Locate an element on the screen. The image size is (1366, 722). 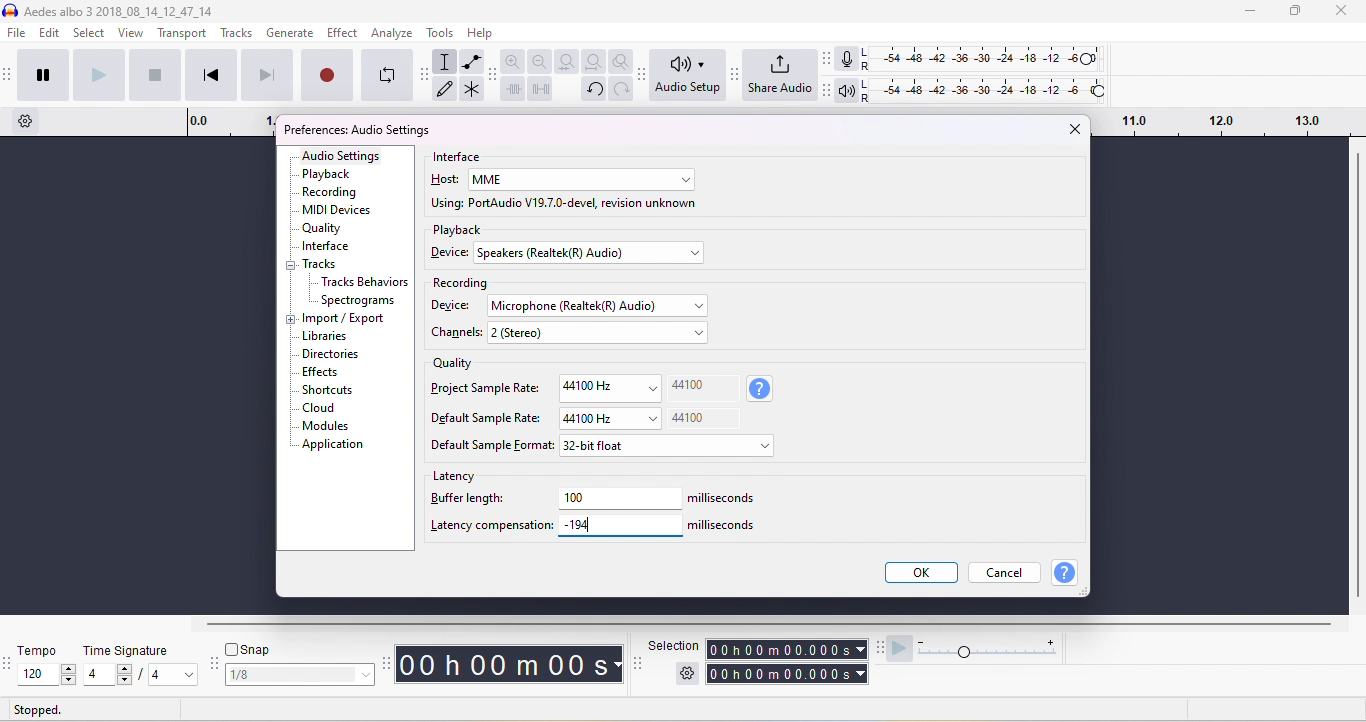
expand is located at coordinates (290, 320).